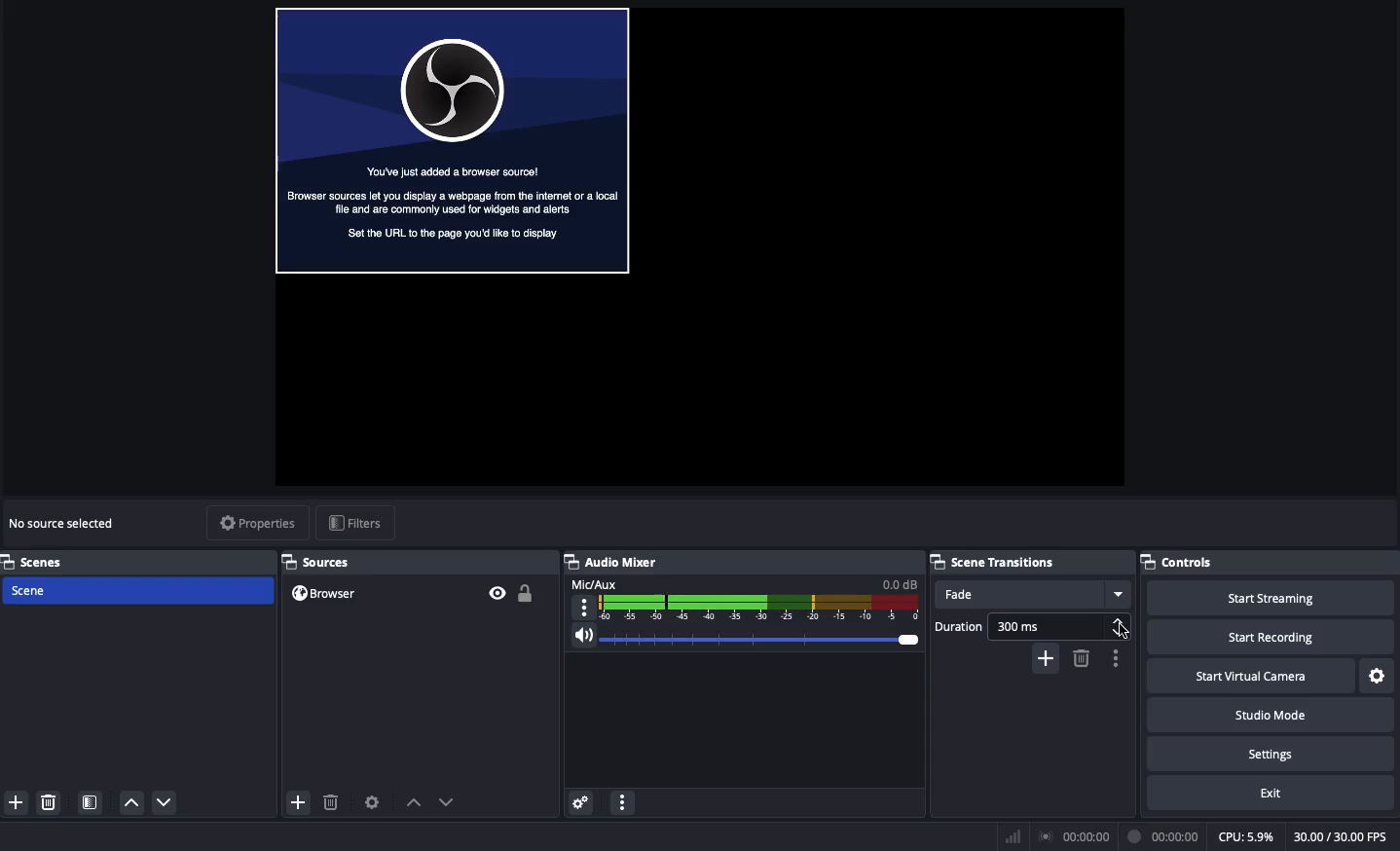  Describe the element at coordinates (166, 801) in the screenshot. I see `Move down` at that location.